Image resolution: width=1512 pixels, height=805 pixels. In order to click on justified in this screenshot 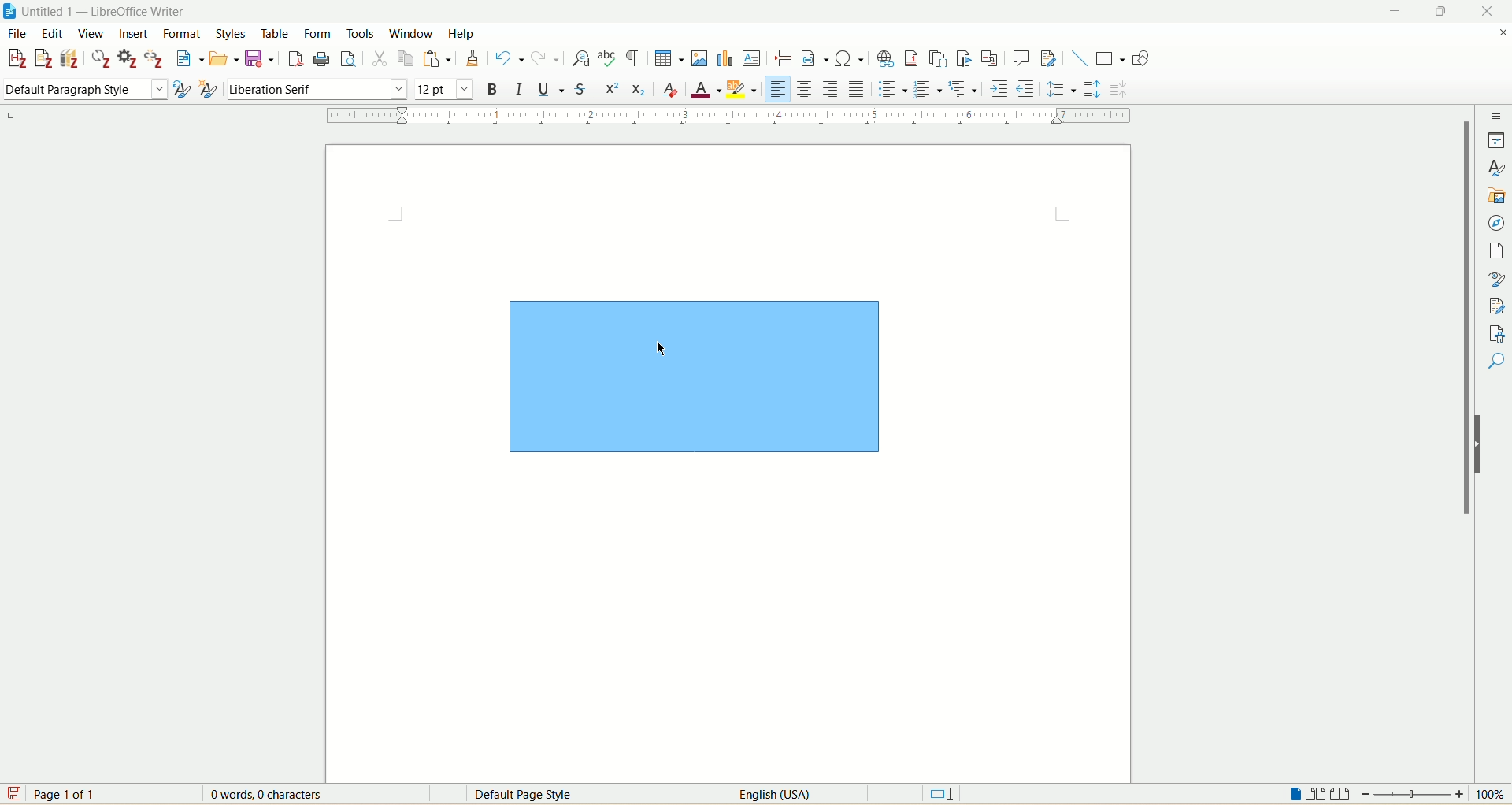, I will do `click(858, 89)`.